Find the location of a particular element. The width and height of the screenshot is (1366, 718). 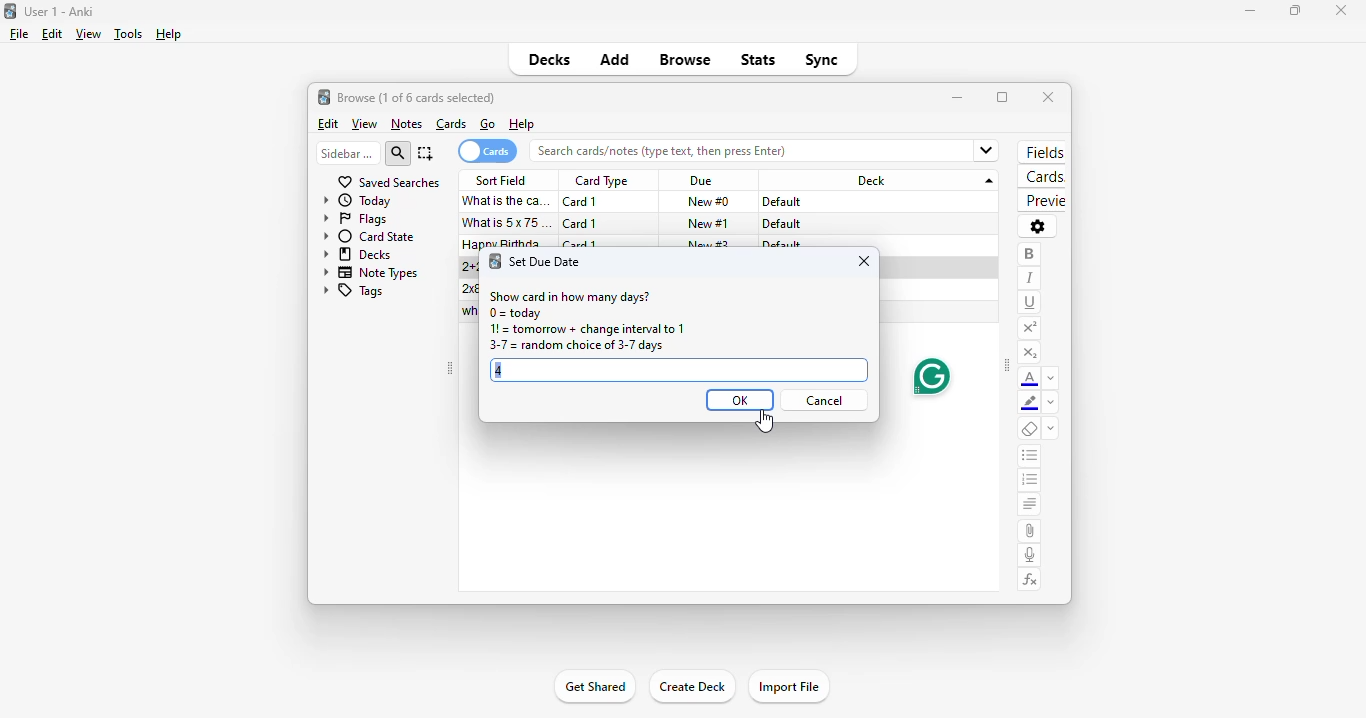

sidebar filter is located at coordinates (347, 153).